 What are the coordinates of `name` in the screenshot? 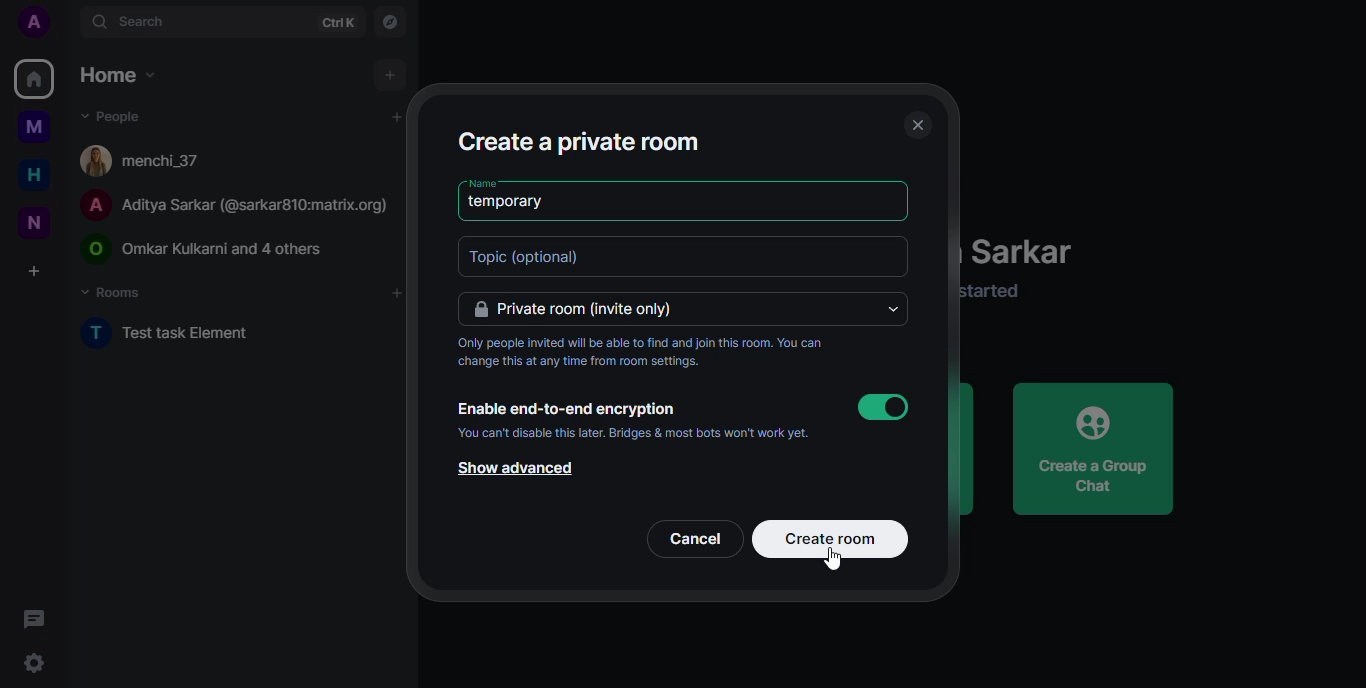 It's located at (482, 182).